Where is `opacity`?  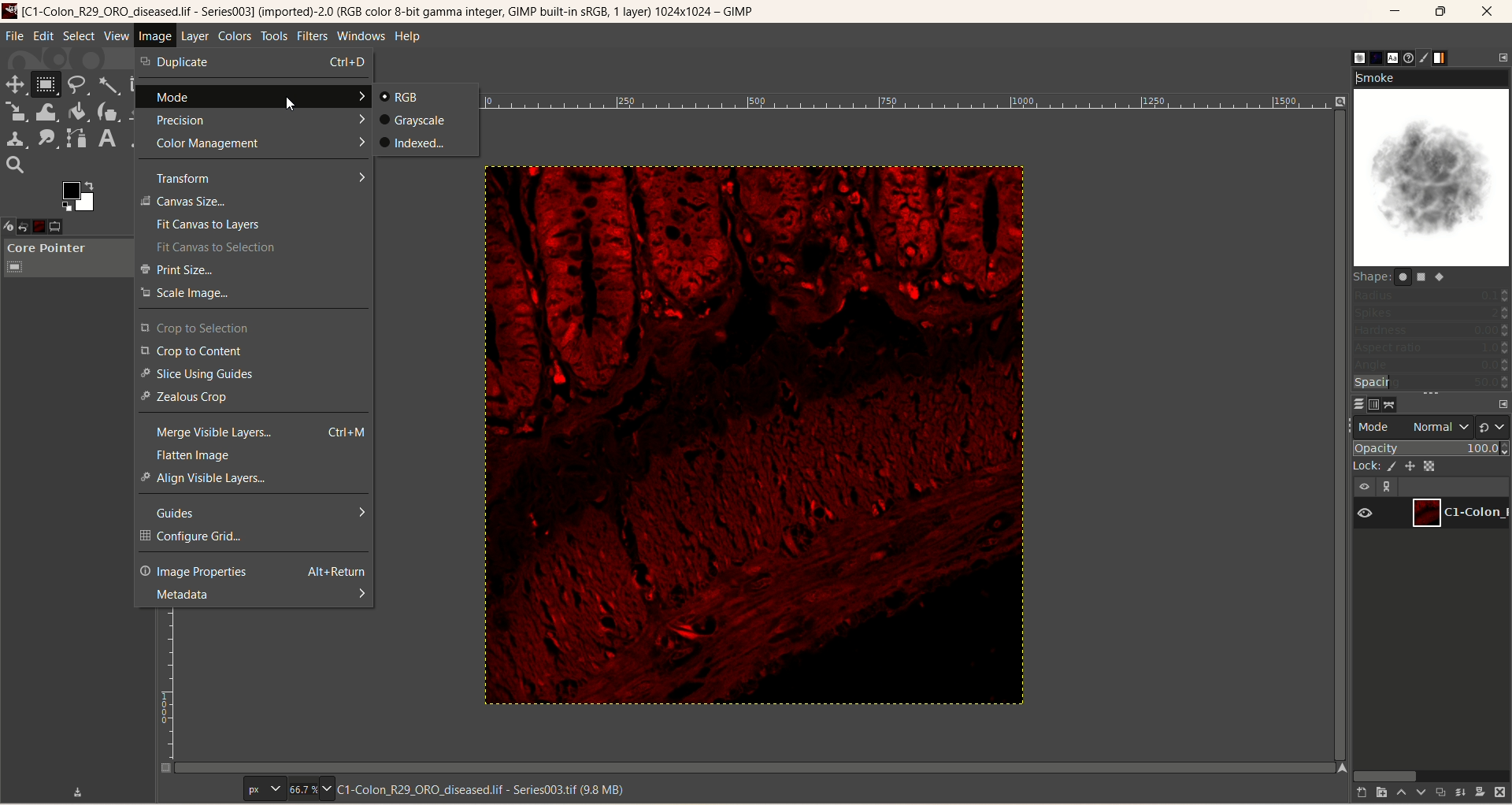 opacity is located at coordinates (1432, 448).